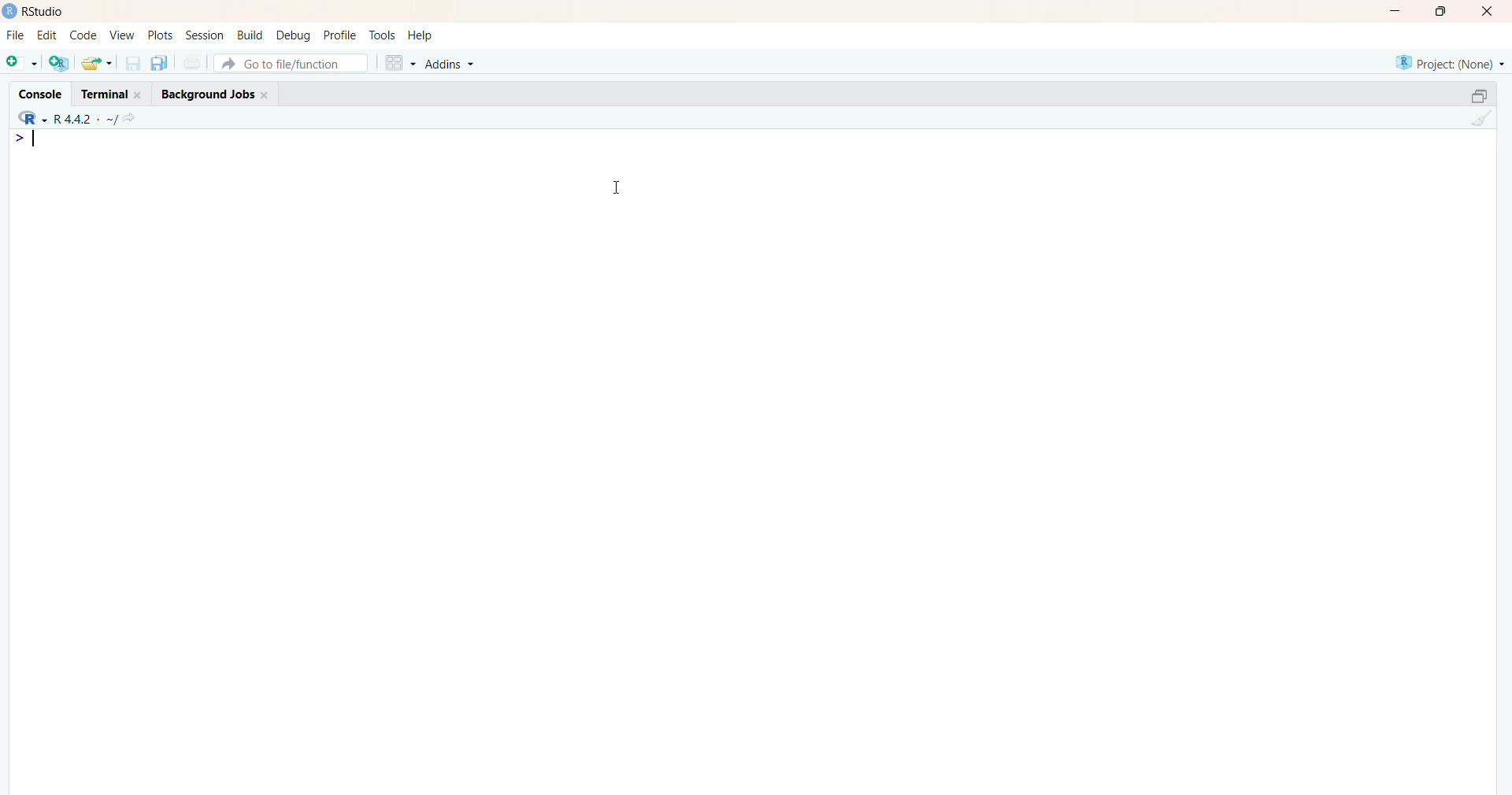  I want to click on code, so click(83, 35).